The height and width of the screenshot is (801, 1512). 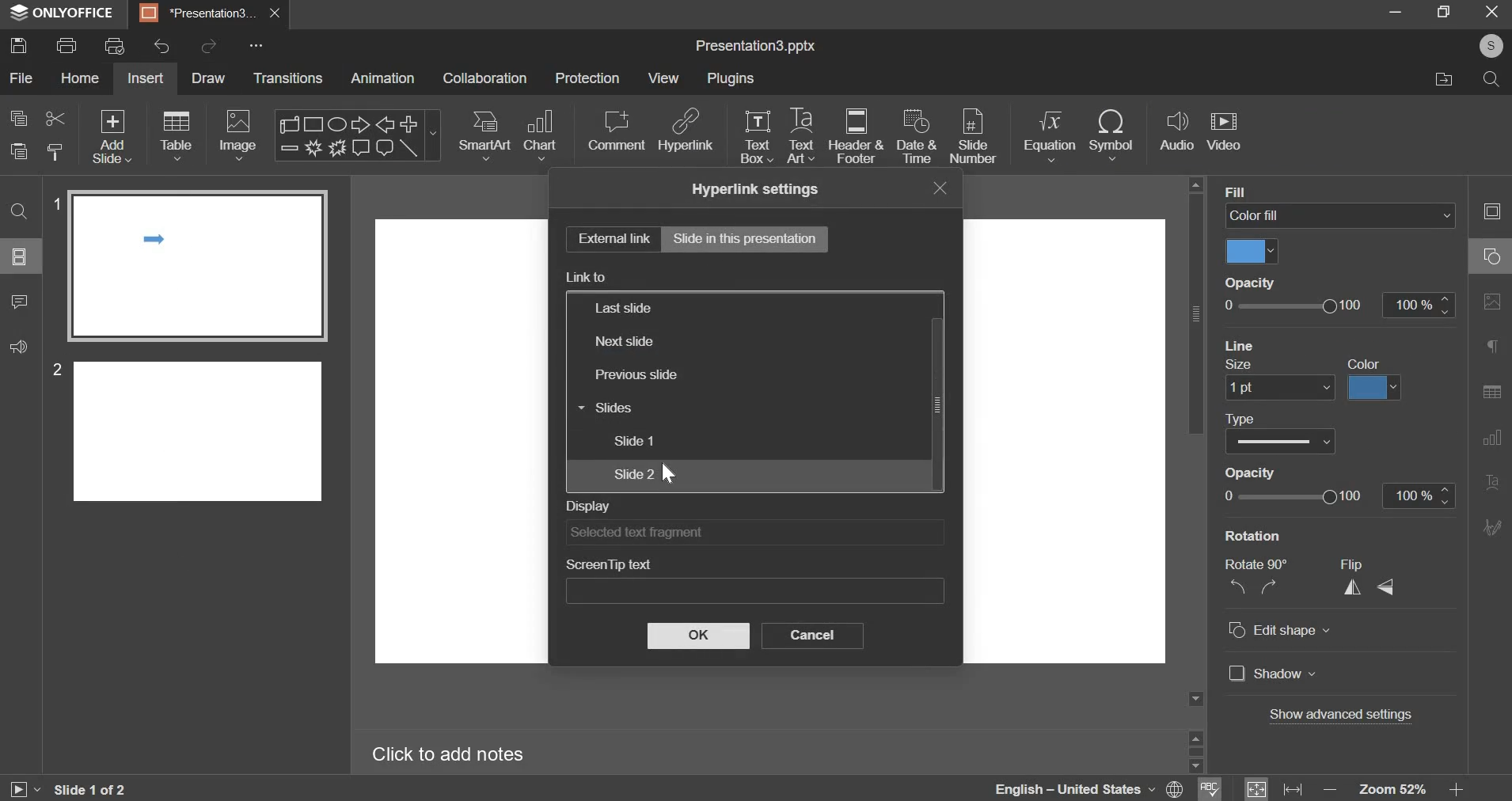 I want to click on exit, so click(x=1494, y=12).